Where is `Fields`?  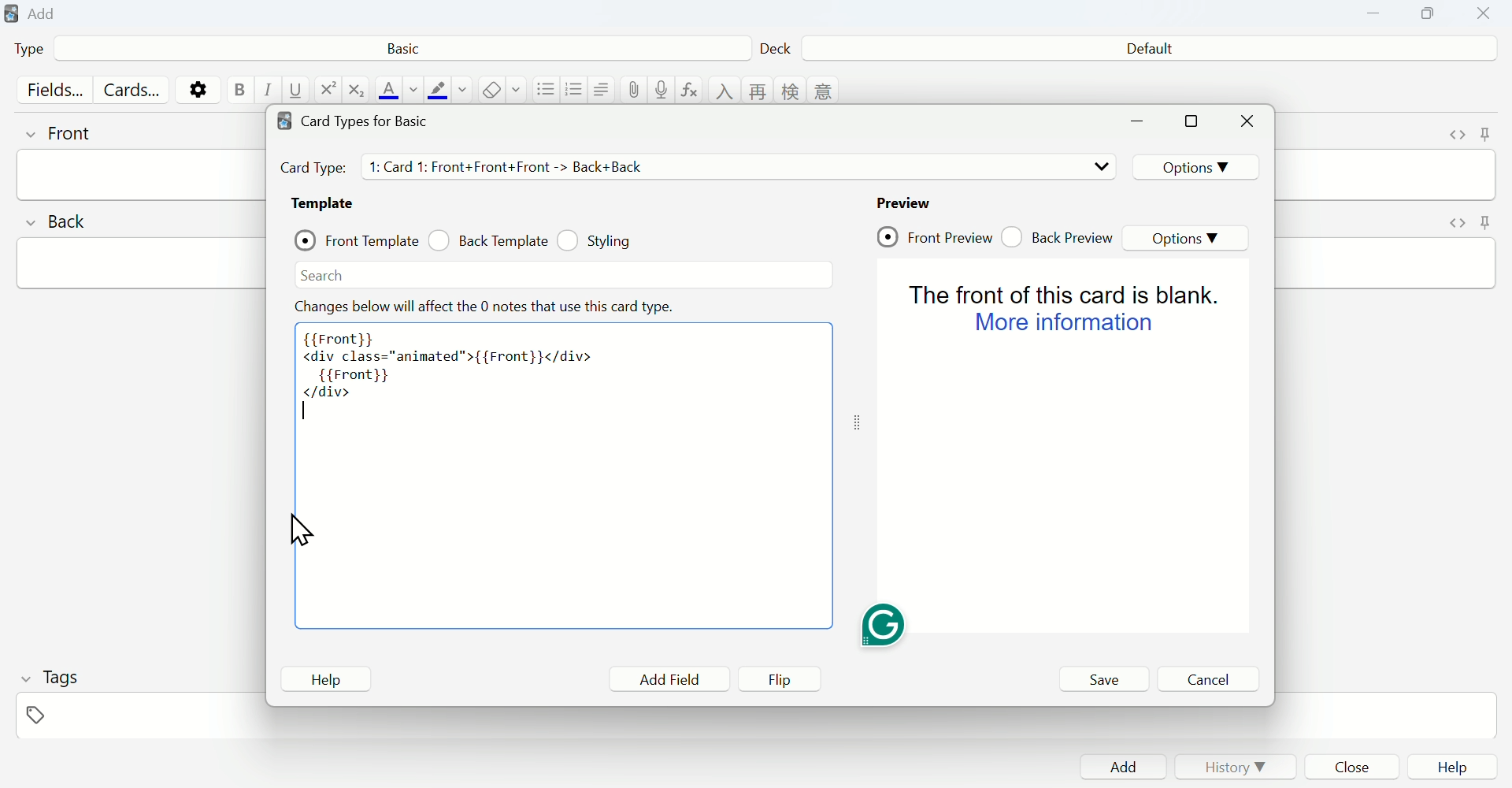
Fields is located at coordinates (52, 89).